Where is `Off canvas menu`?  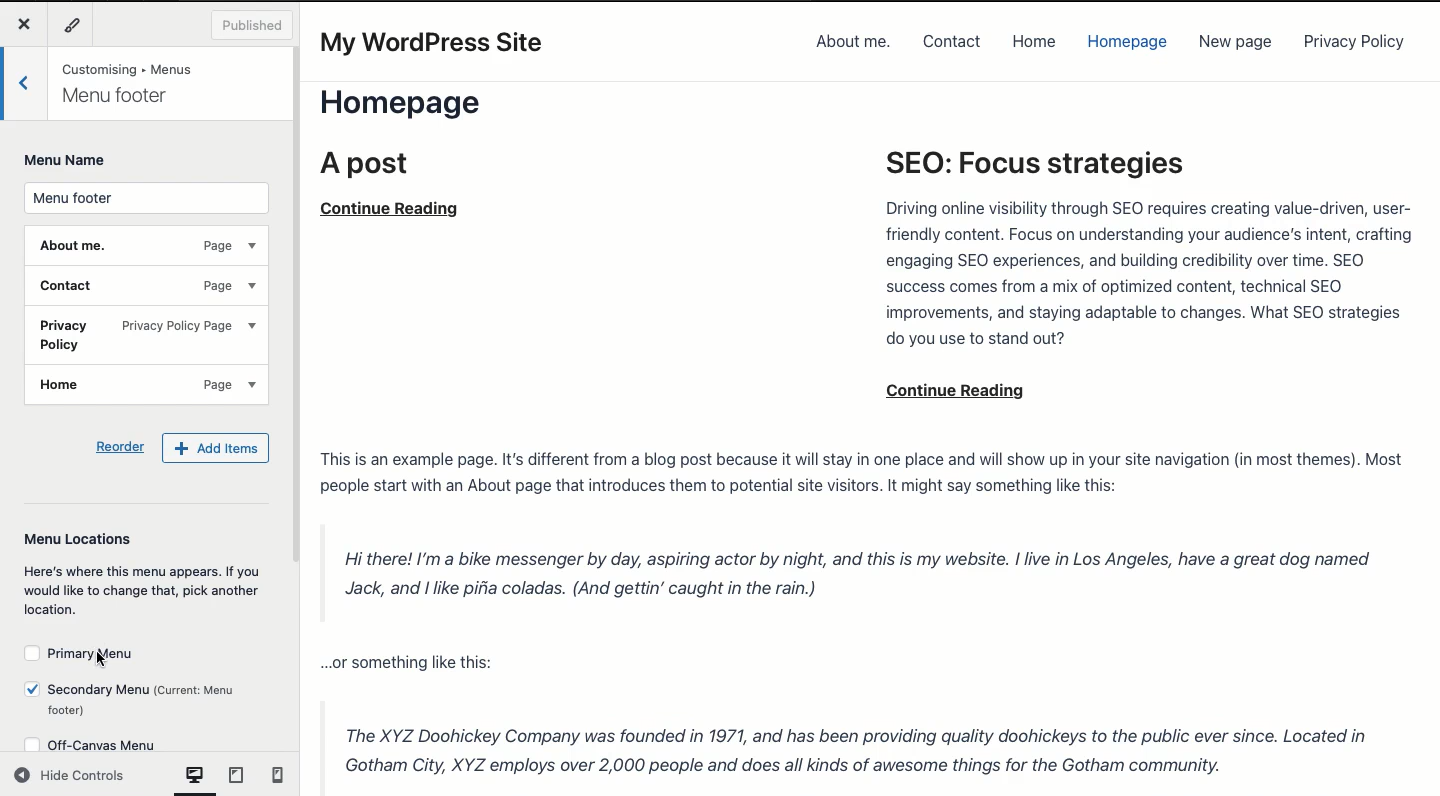 Off canvas menu is located at coordinates (102, 740).